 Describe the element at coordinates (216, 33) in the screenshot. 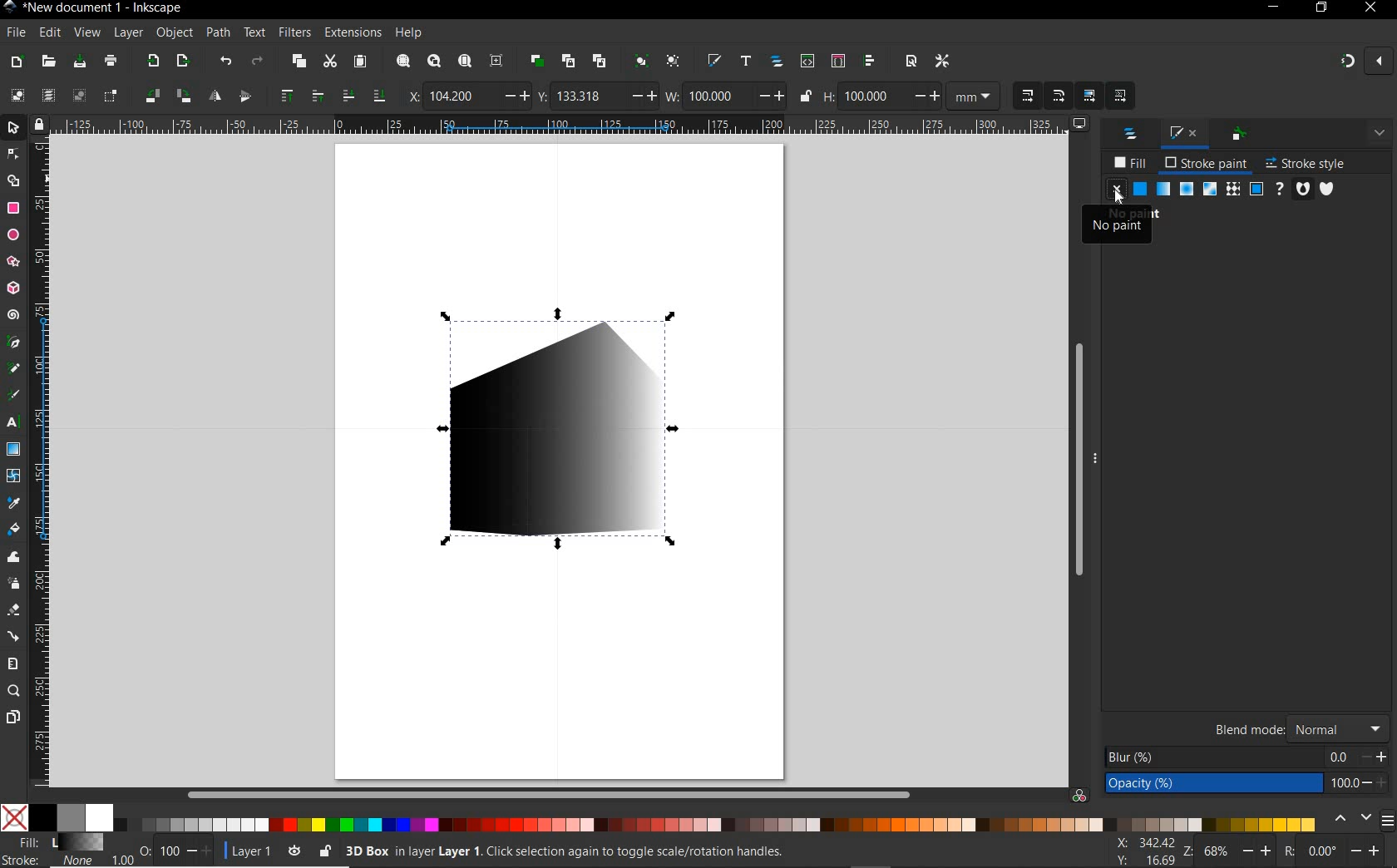

I see `PATH` at that location.